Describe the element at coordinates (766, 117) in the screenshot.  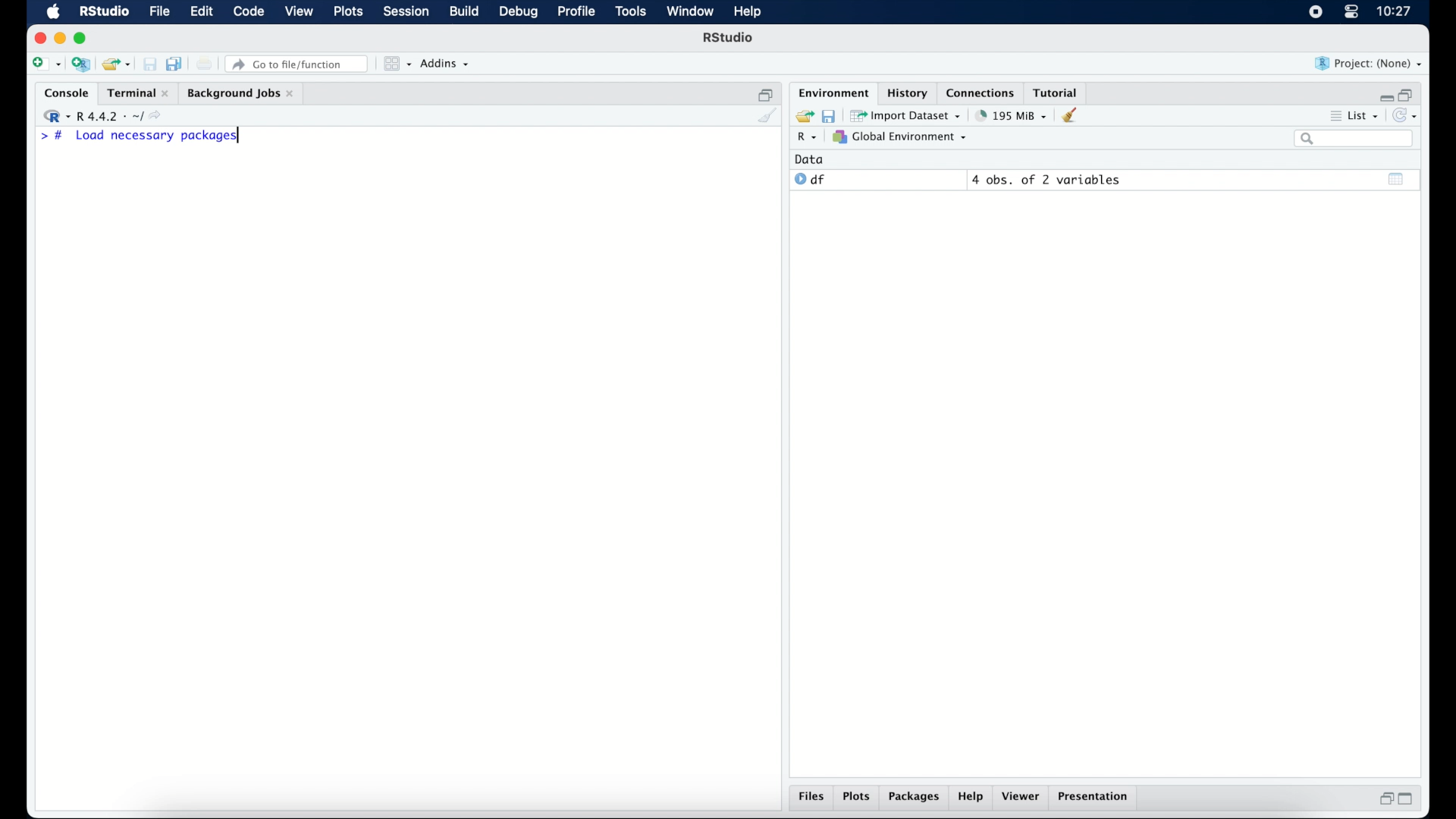
I see `clear console` at that location.